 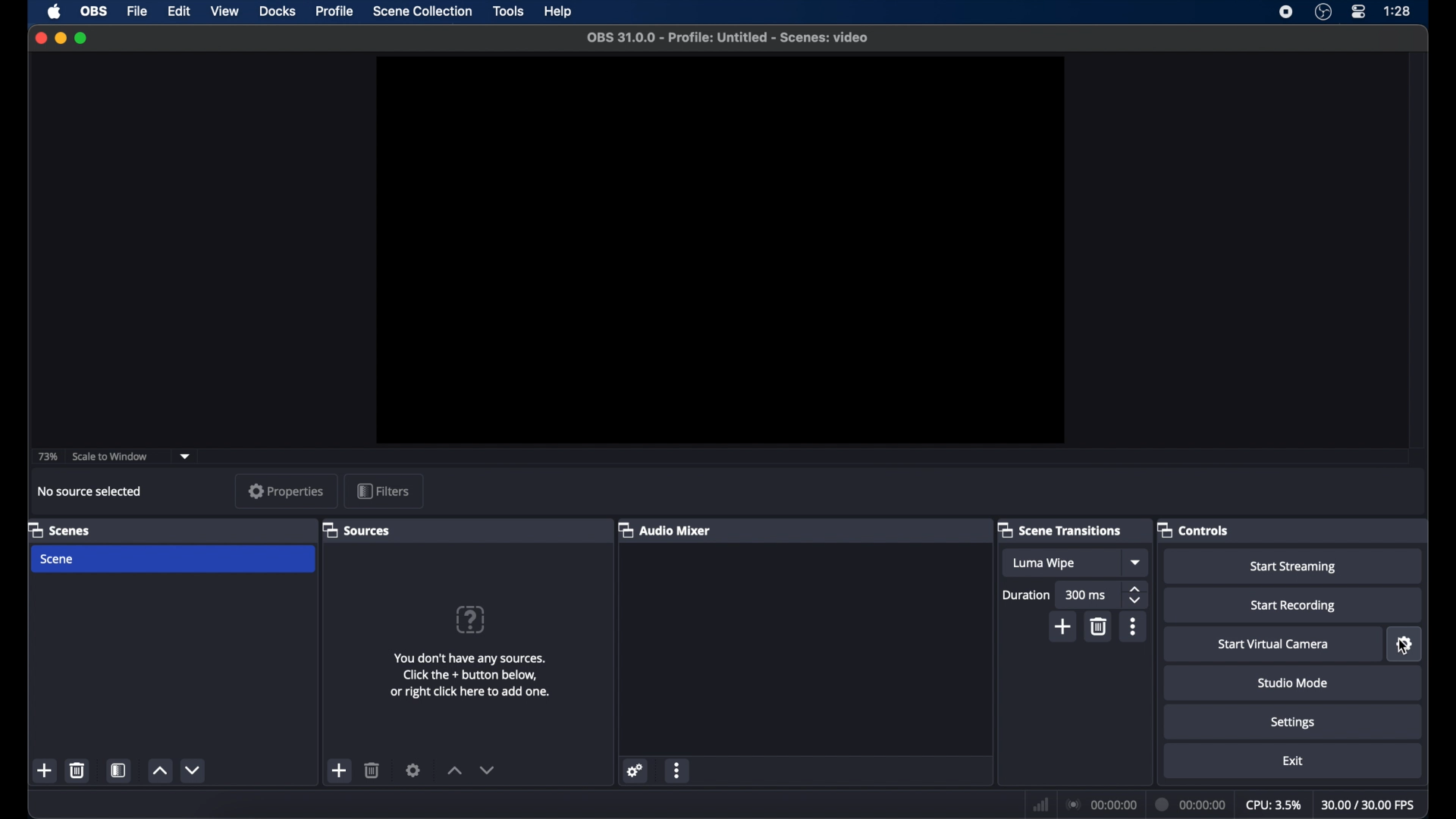 I want to click on add, so click(x=1062, y=626).